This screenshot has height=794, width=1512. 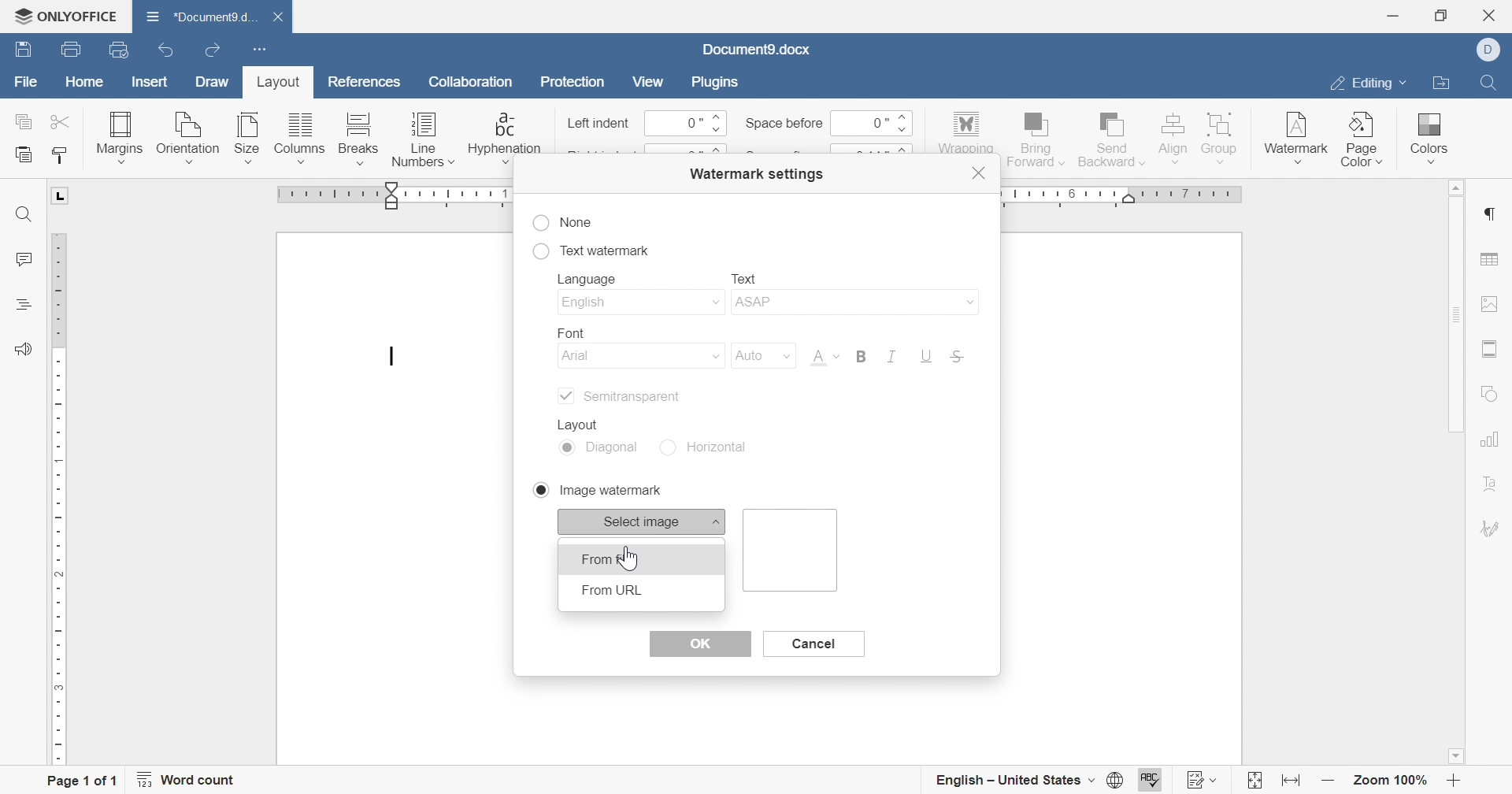 What do you see at coordinates (888, 356) in the screenshot?
I see `italic` at bounding box center [888, 356].